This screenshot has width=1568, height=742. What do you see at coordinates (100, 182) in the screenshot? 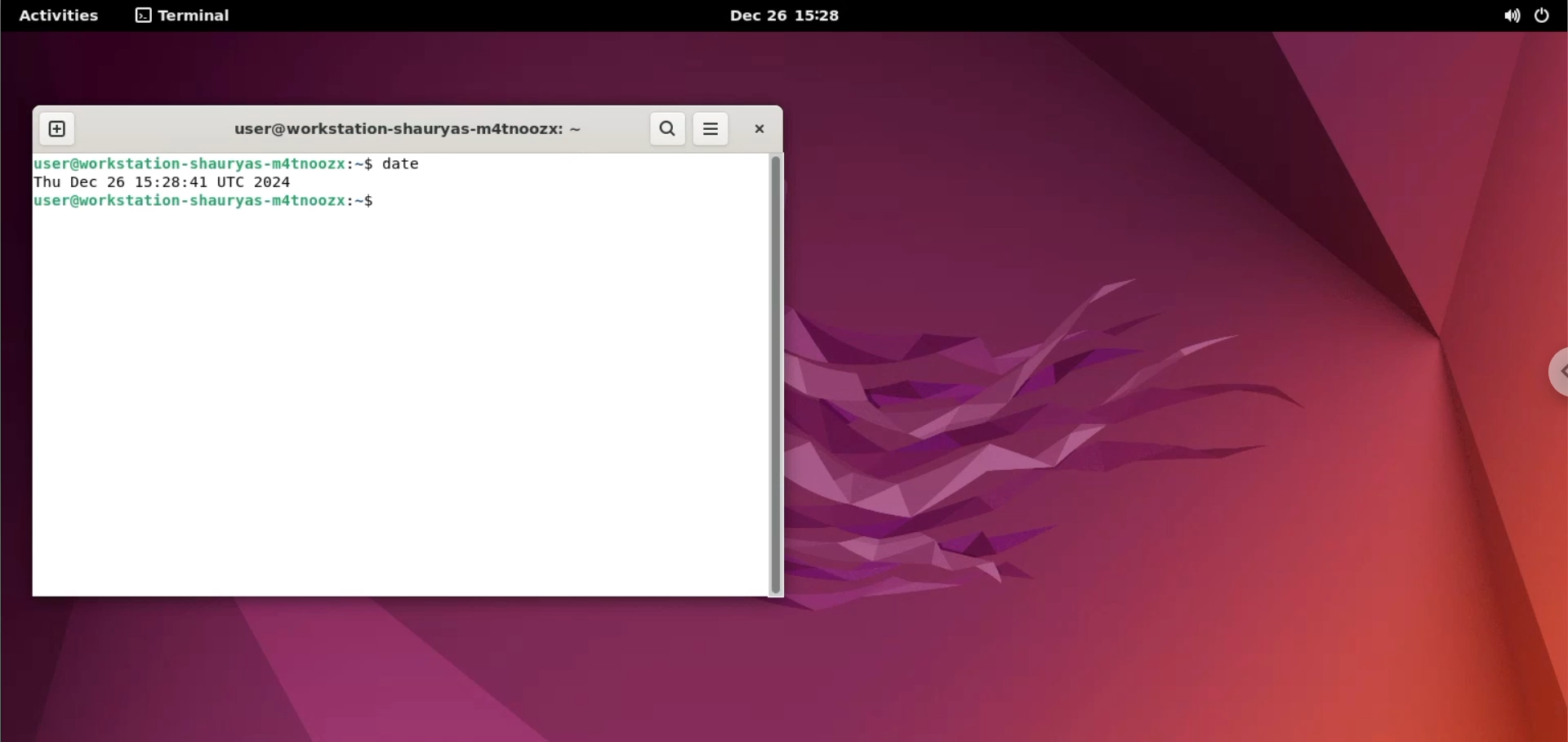
I see `Dec 26` at bounding box center [100, 182].